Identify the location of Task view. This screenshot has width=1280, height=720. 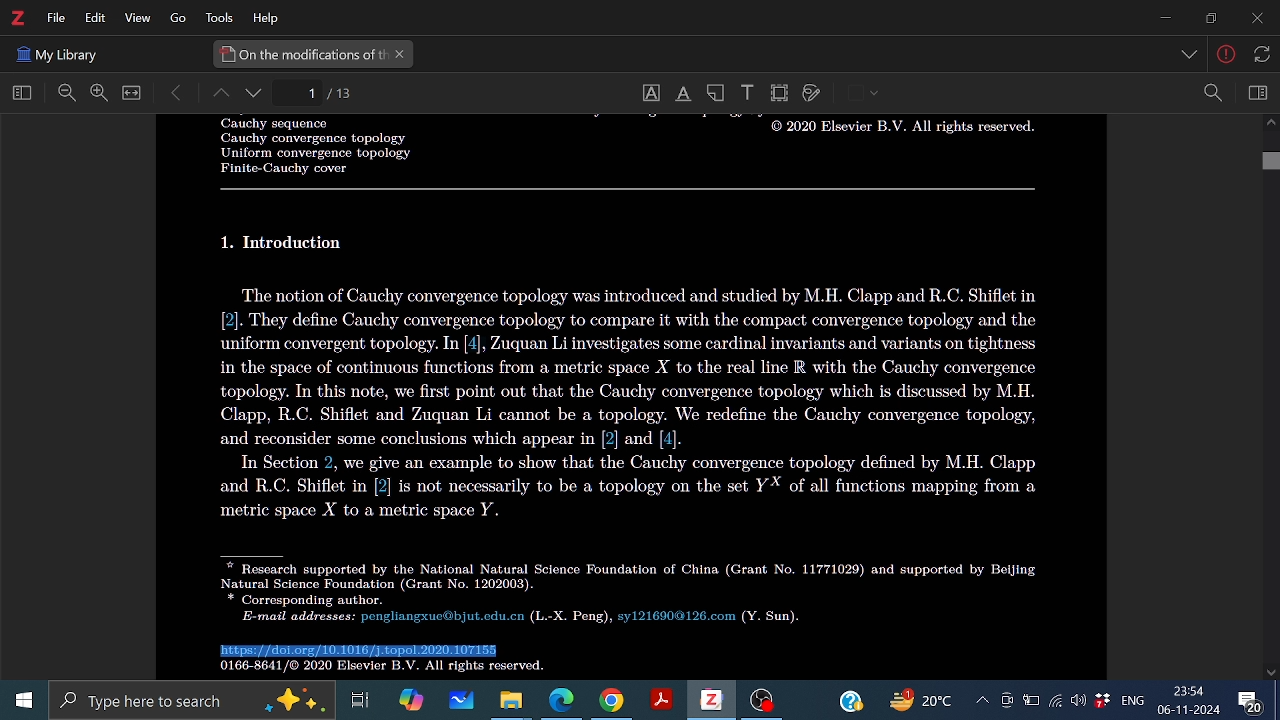
(361, 700).